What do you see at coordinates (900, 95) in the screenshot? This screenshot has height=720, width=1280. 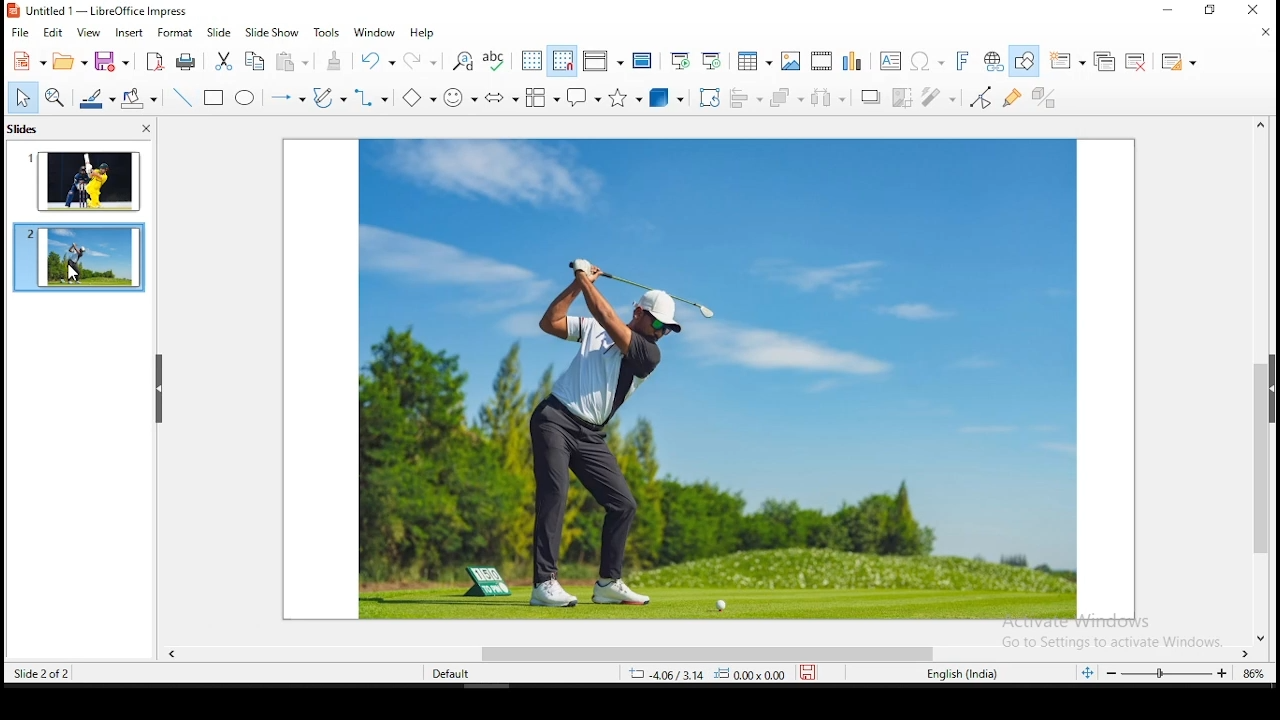 I see `crop image` at bounding box center [900, 95].